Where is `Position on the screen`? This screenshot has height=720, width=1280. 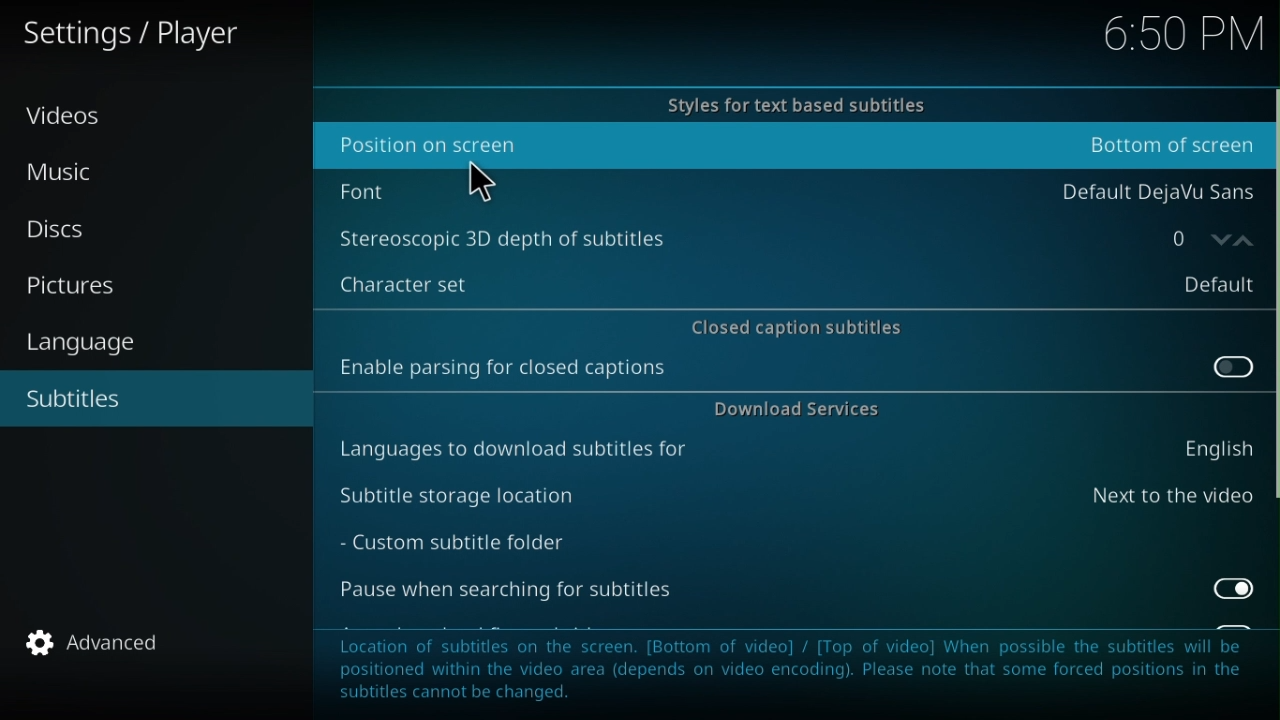 Position on the screen is located at coordinates (787, 146).